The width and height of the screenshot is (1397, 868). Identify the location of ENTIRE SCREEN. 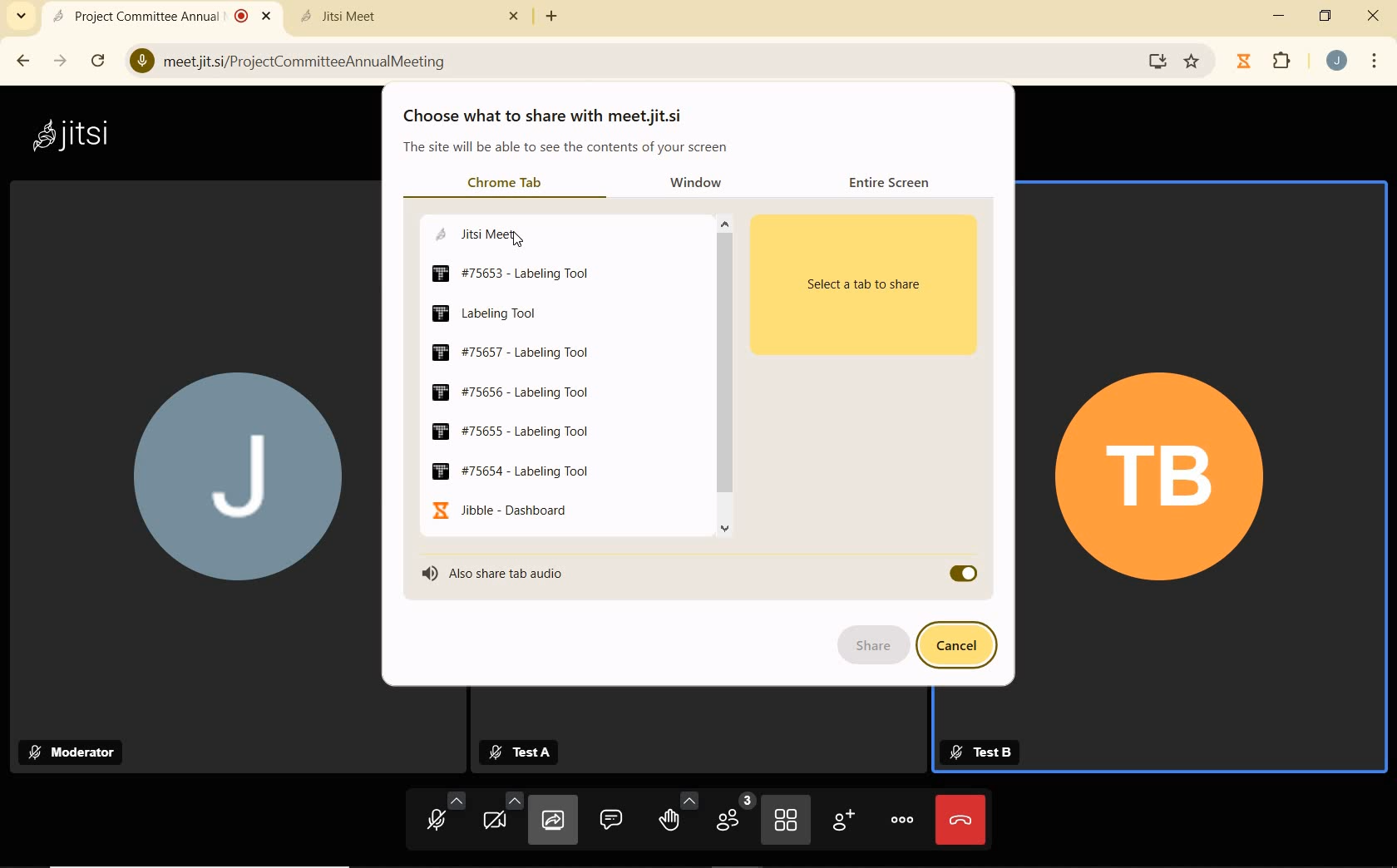
(895, 181).